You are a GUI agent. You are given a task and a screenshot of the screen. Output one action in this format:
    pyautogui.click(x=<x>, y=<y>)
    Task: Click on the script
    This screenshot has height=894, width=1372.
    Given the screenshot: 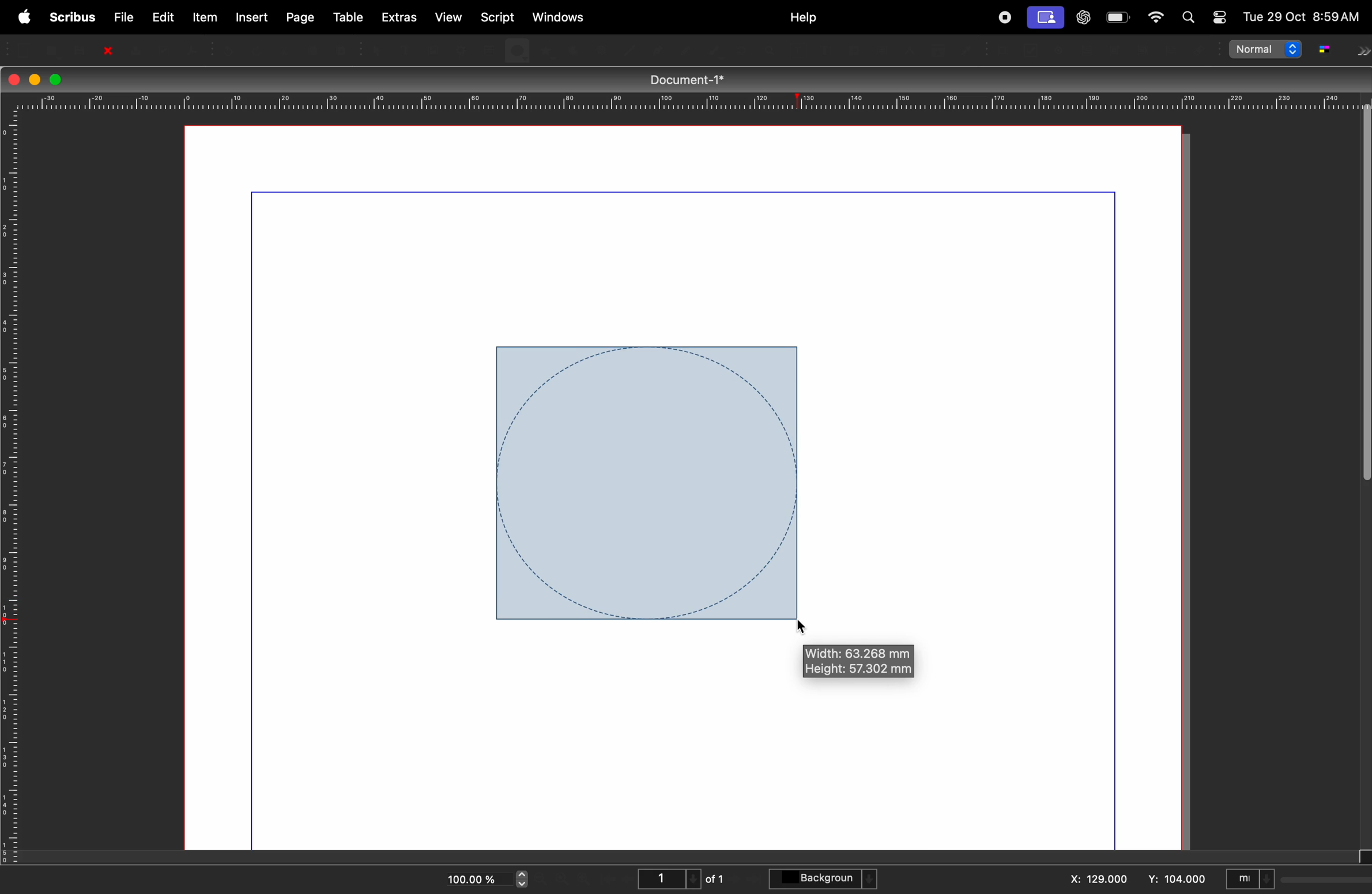 What is the action you would take?
    pyautogui.click(x=500, y=16)
    